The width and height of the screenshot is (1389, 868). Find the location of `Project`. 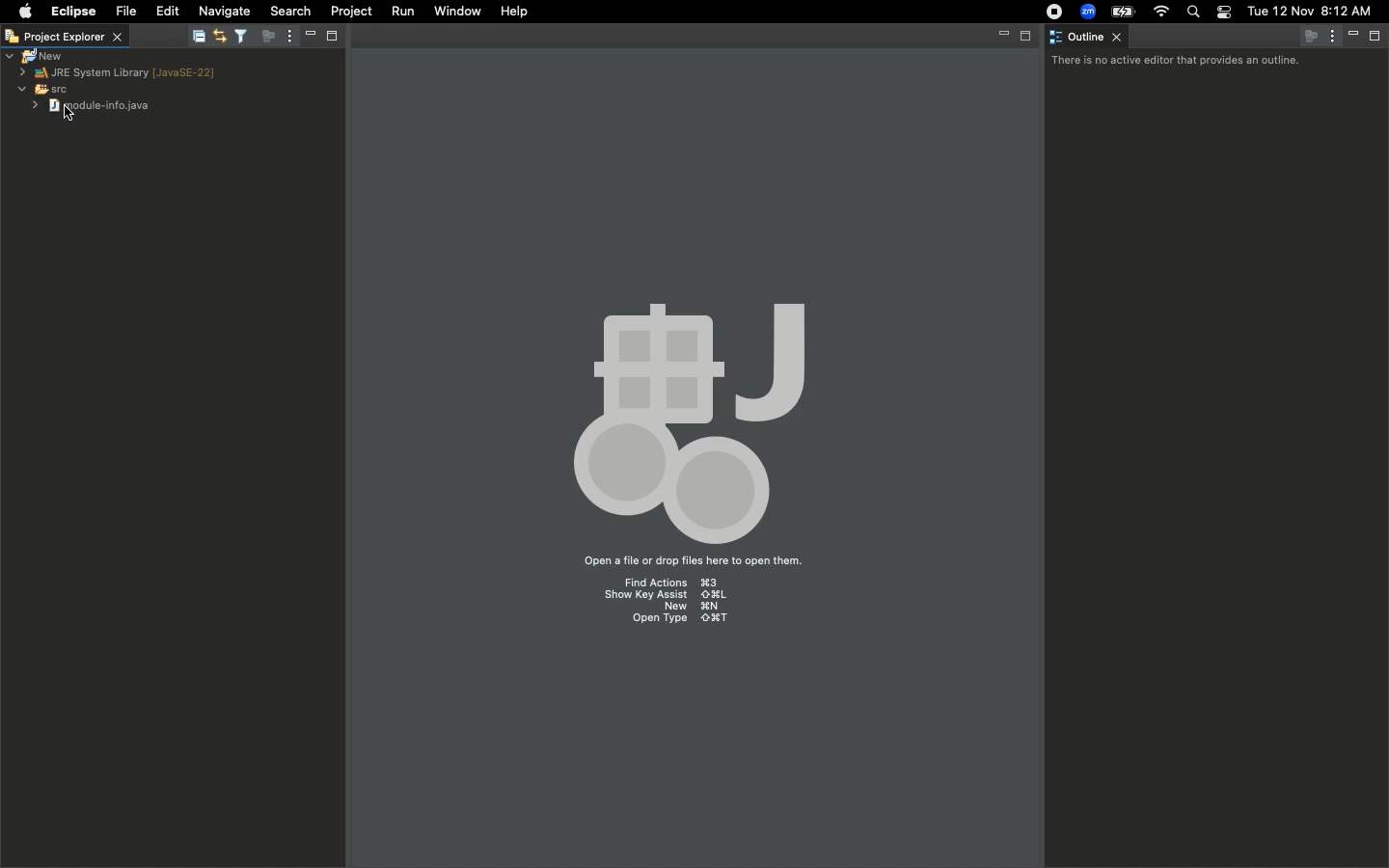

Project is located at coordinates (347, 12).